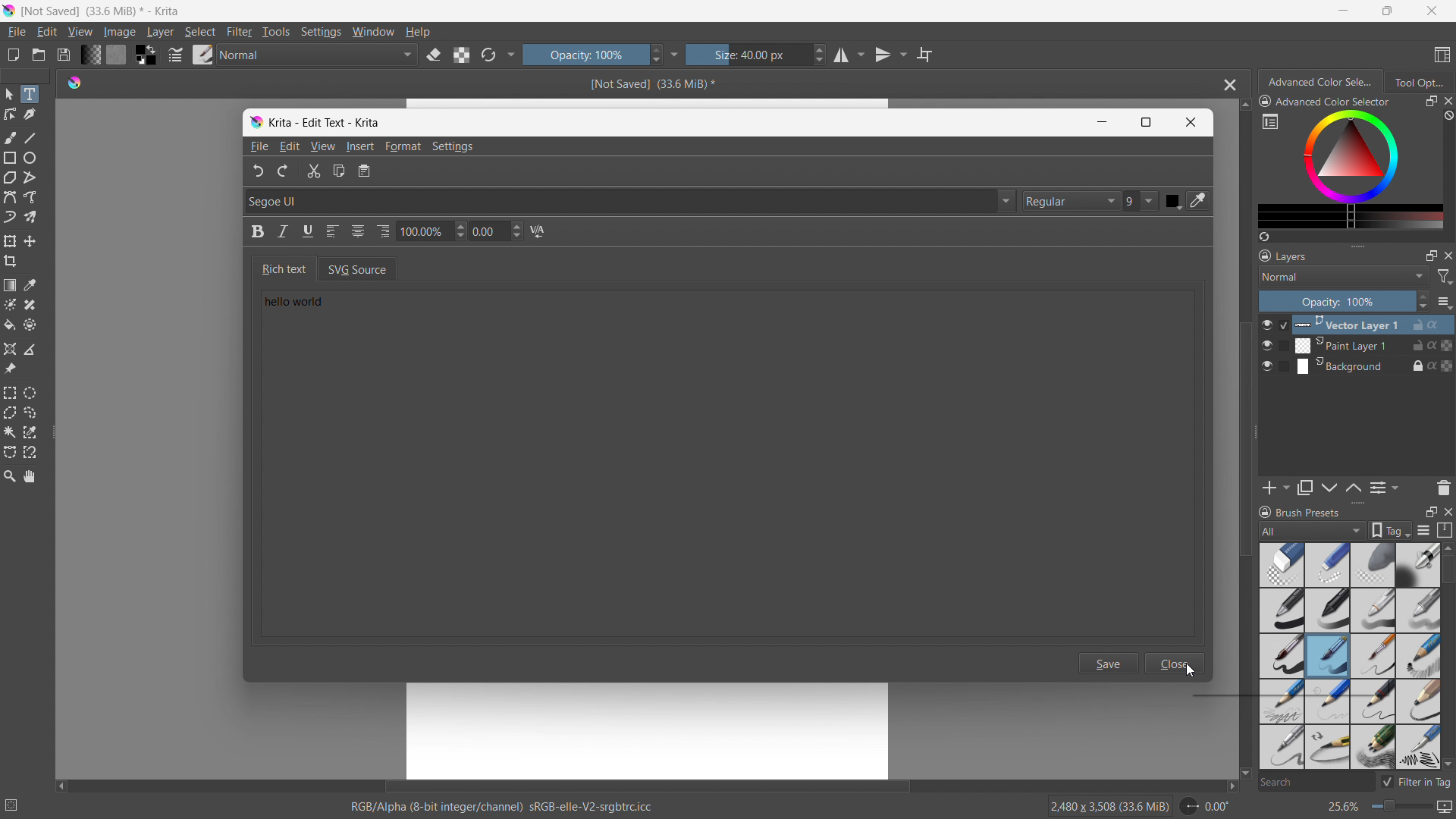 The width and height of the screenshot is (1456, 819). I want to click on multibrush tool, so click(30, 217).